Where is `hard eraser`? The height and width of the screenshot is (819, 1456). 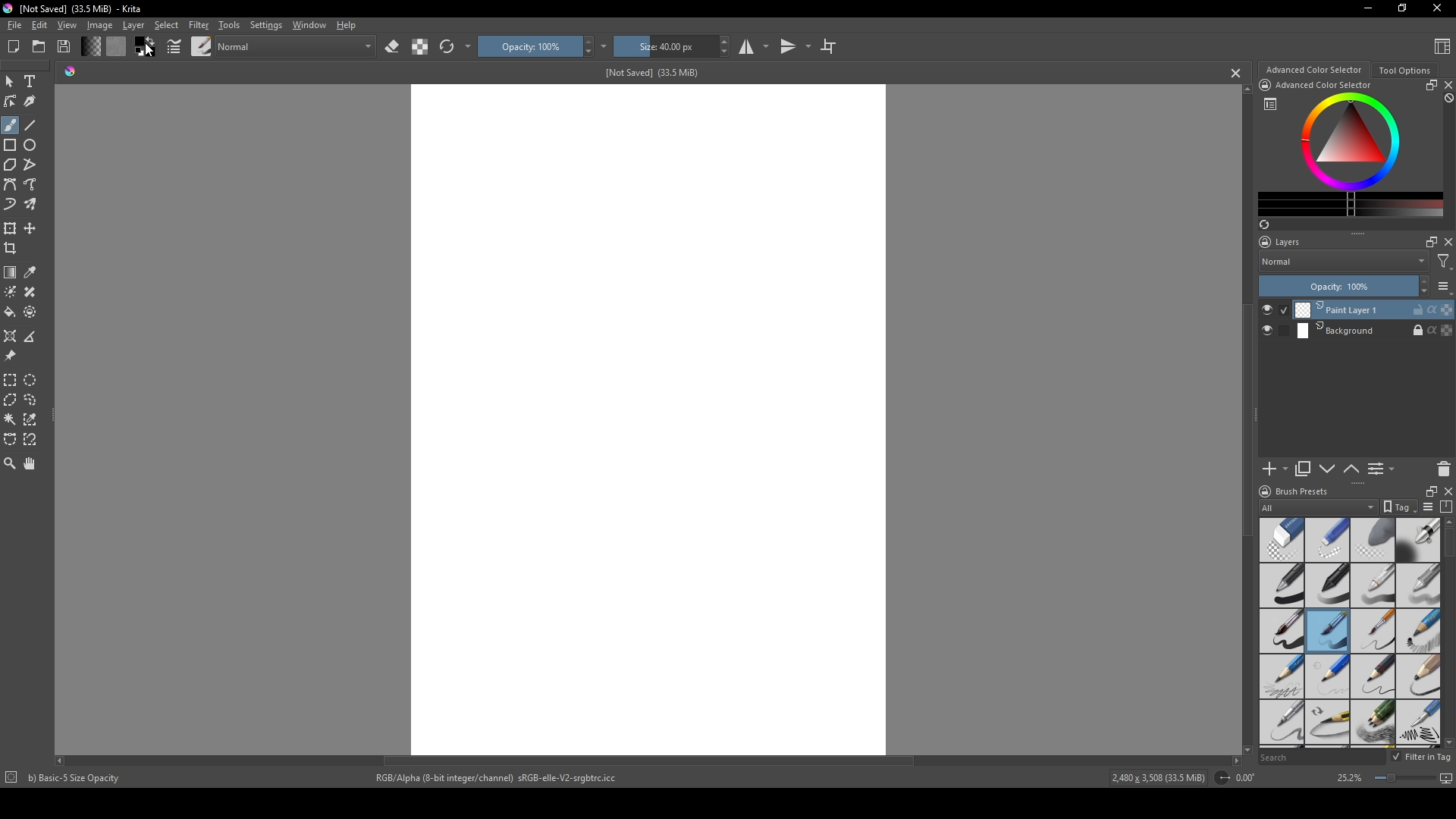
hard eraser is located at coordinates (1326, 539).